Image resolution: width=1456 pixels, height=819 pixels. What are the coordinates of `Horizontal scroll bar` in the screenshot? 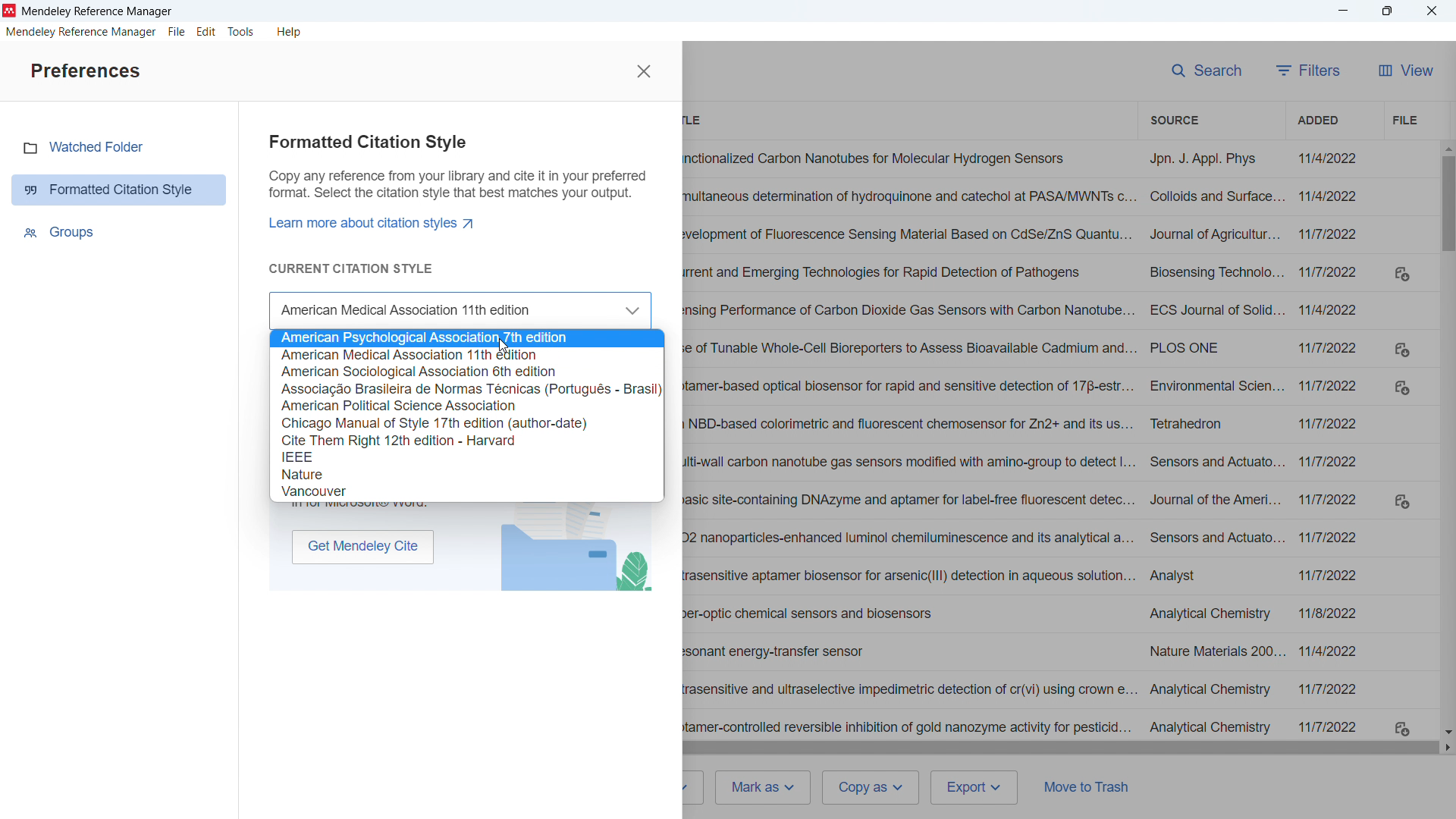 It's located at (1059, 748).